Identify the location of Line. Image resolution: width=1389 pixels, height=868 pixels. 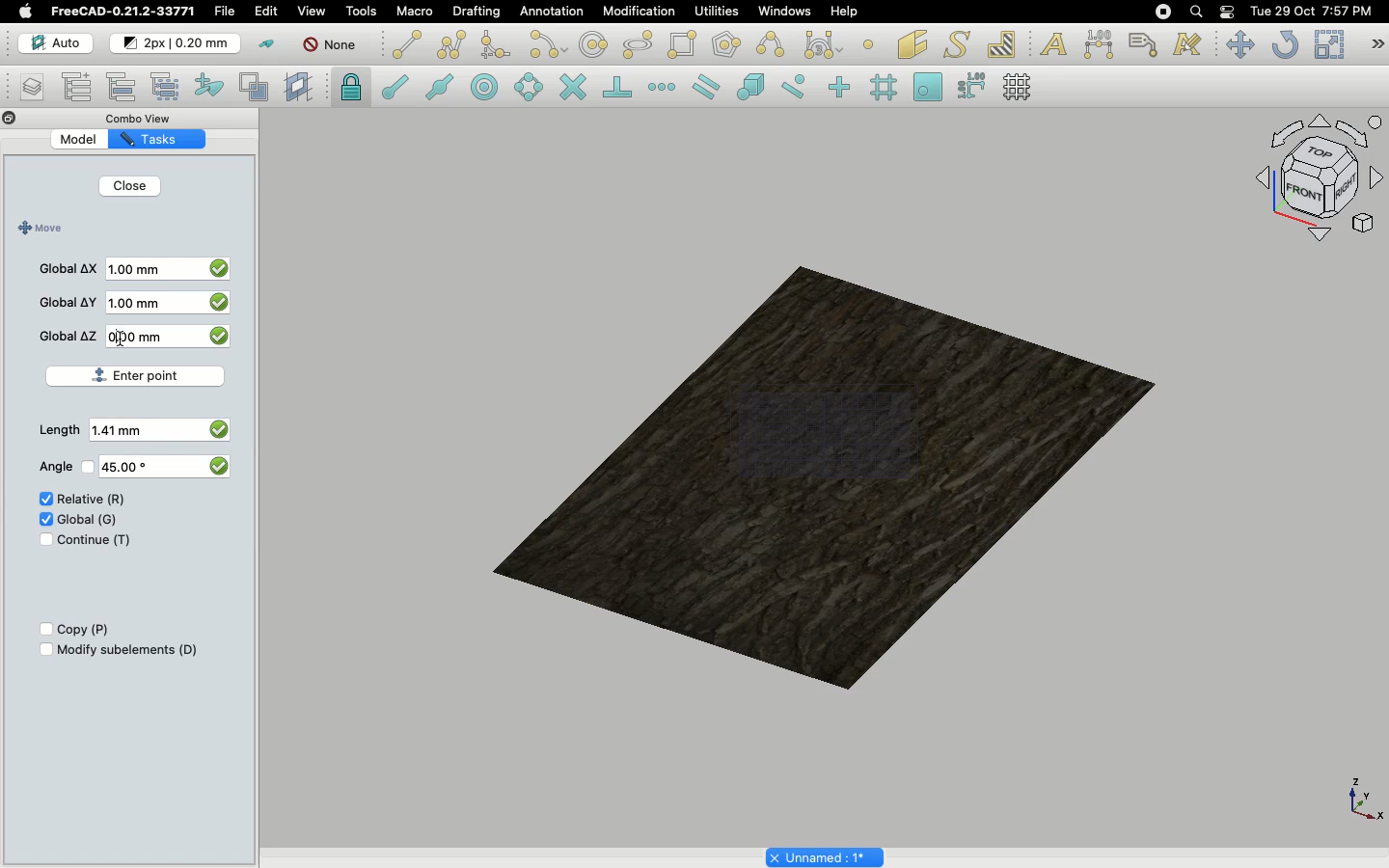
(407, 44).